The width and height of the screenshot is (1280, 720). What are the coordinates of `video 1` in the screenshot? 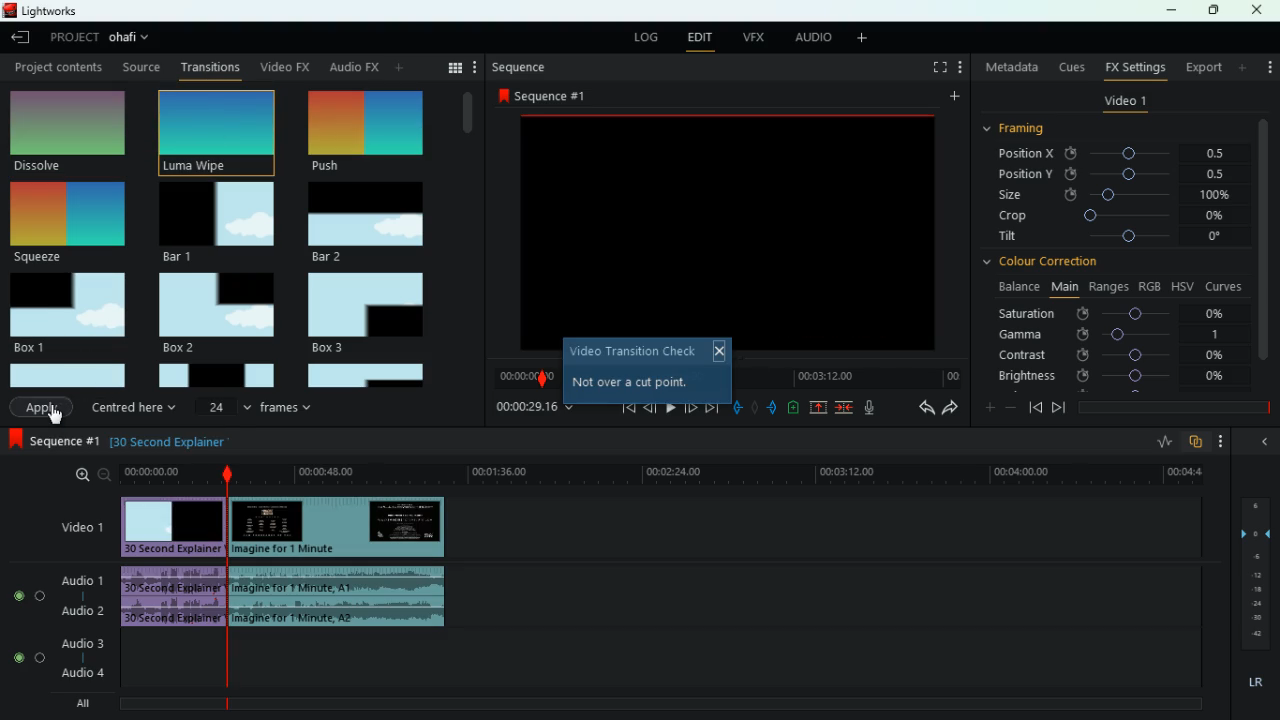 It's located at (73, 528).